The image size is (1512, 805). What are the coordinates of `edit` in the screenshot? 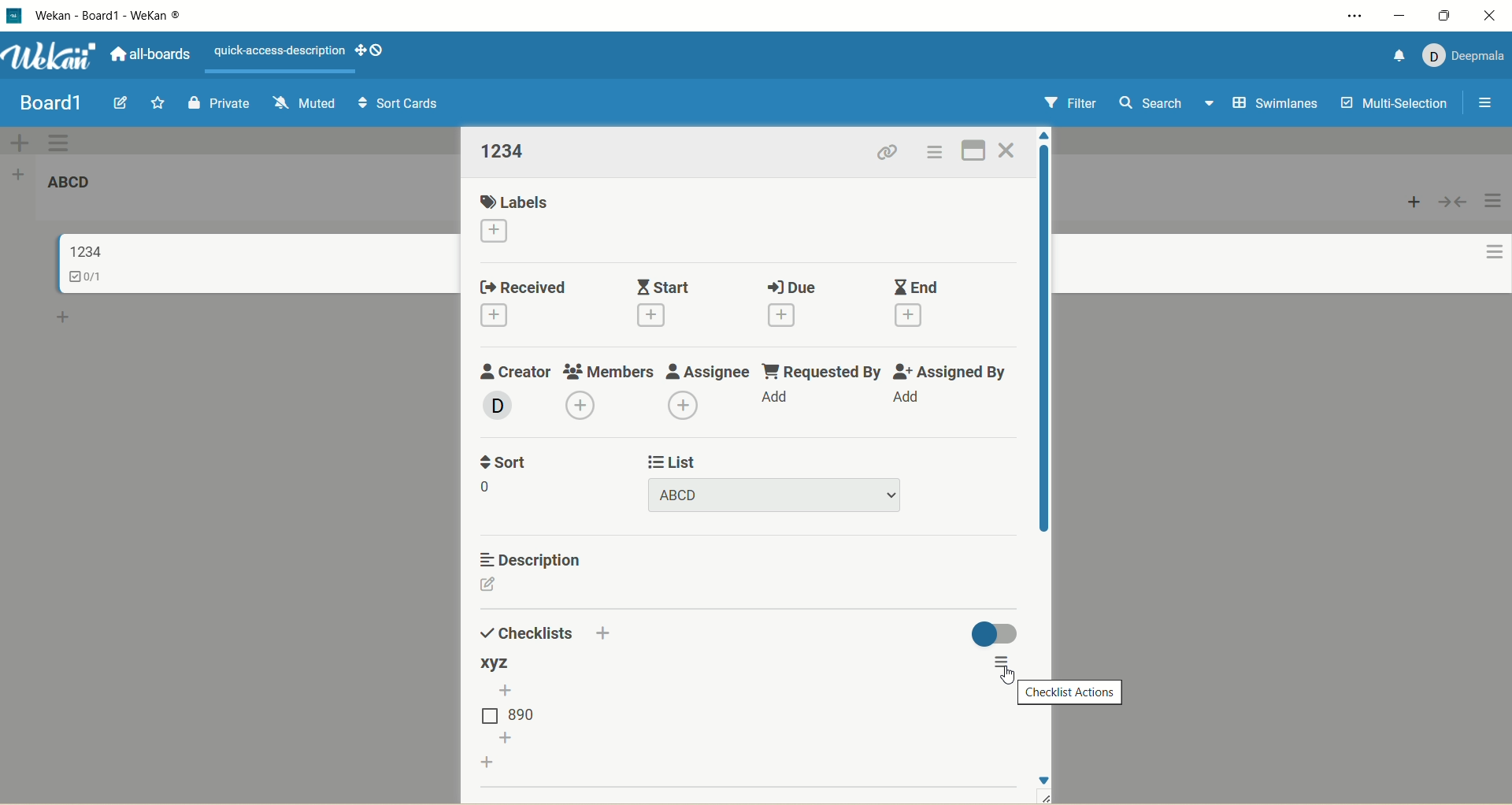 It's located at (124, 103).